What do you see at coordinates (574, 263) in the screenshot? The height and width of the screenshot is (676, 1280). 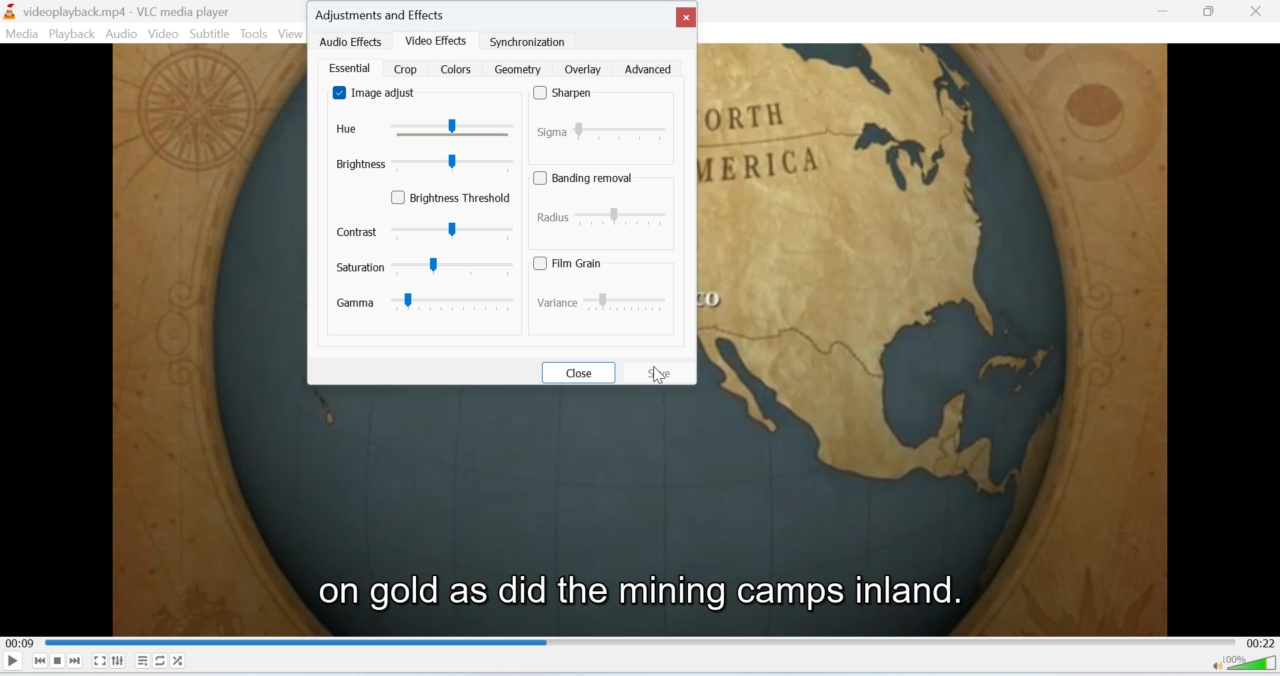 I see `film grain` at bounding box center [574, 263].